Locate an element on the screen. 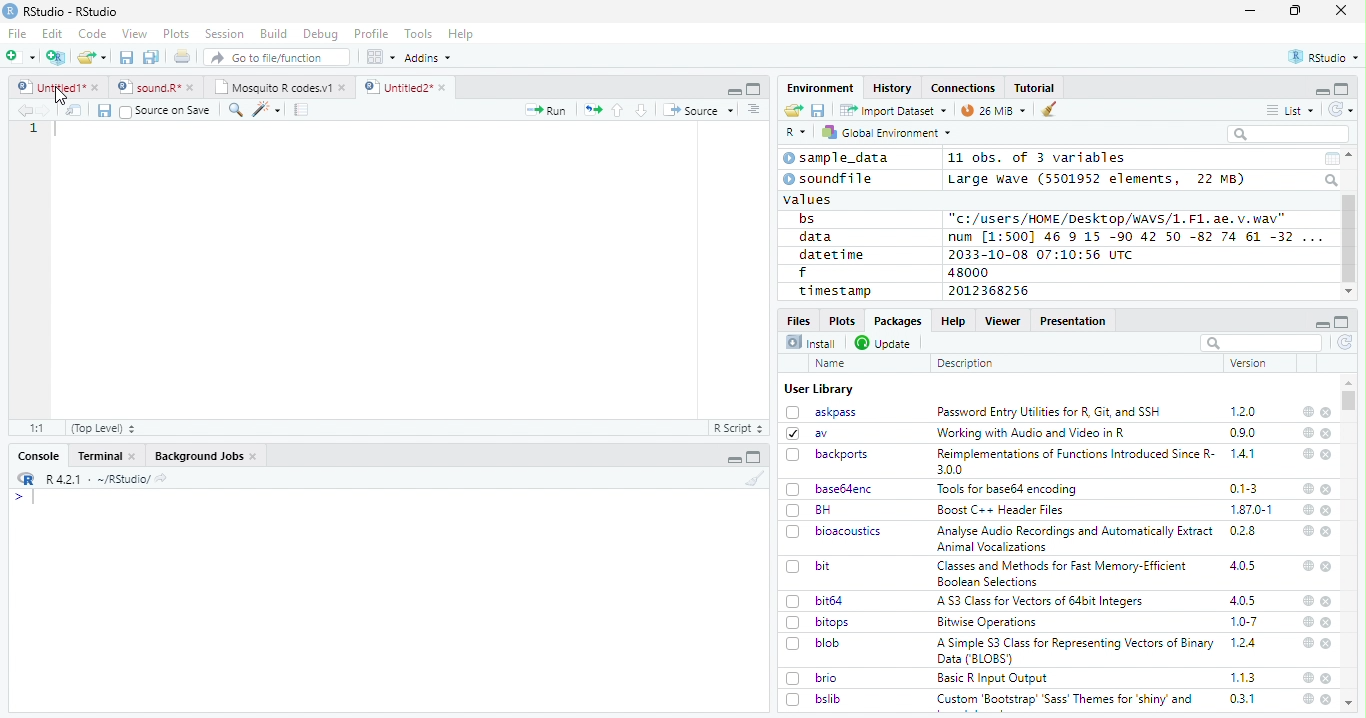  1.4.1 is located at coordinates (1244, 453).